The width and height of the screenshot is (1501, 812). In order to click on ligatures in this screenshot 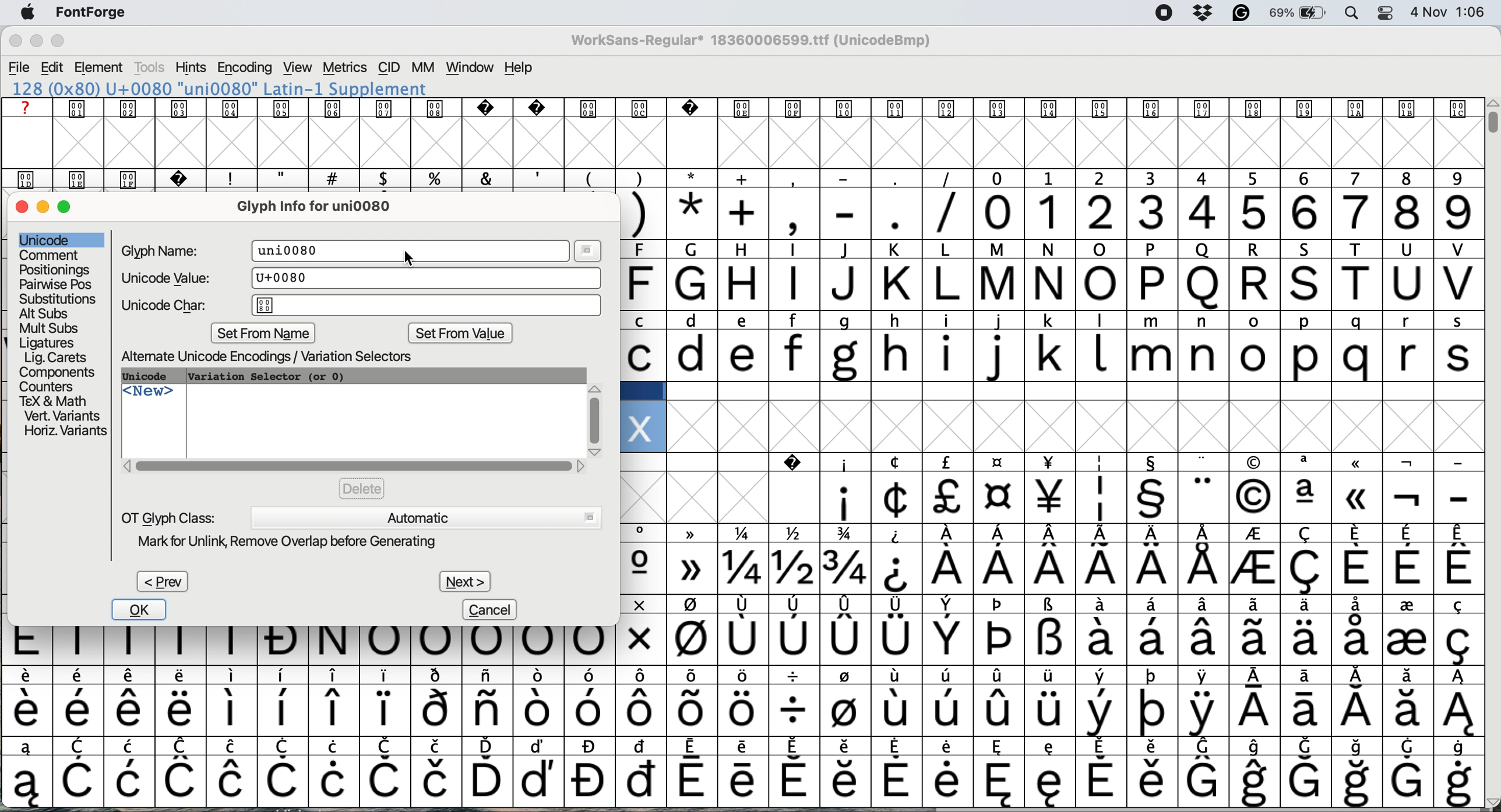, I will do `click(50, 341)`.